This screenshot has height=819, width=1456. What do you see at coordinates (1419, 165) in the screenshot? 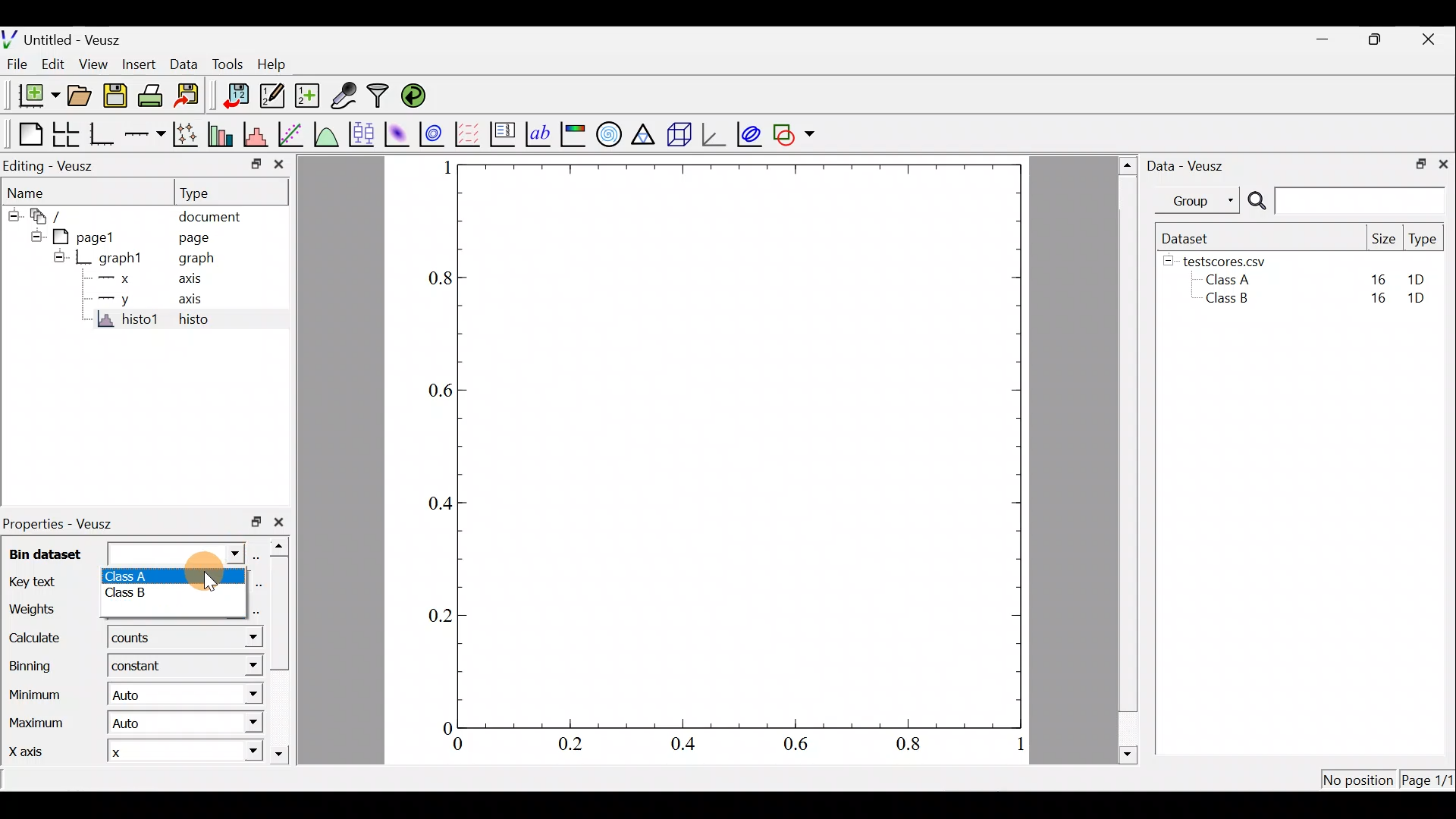
I see `Restore down` at bounding box center [1419, 165].